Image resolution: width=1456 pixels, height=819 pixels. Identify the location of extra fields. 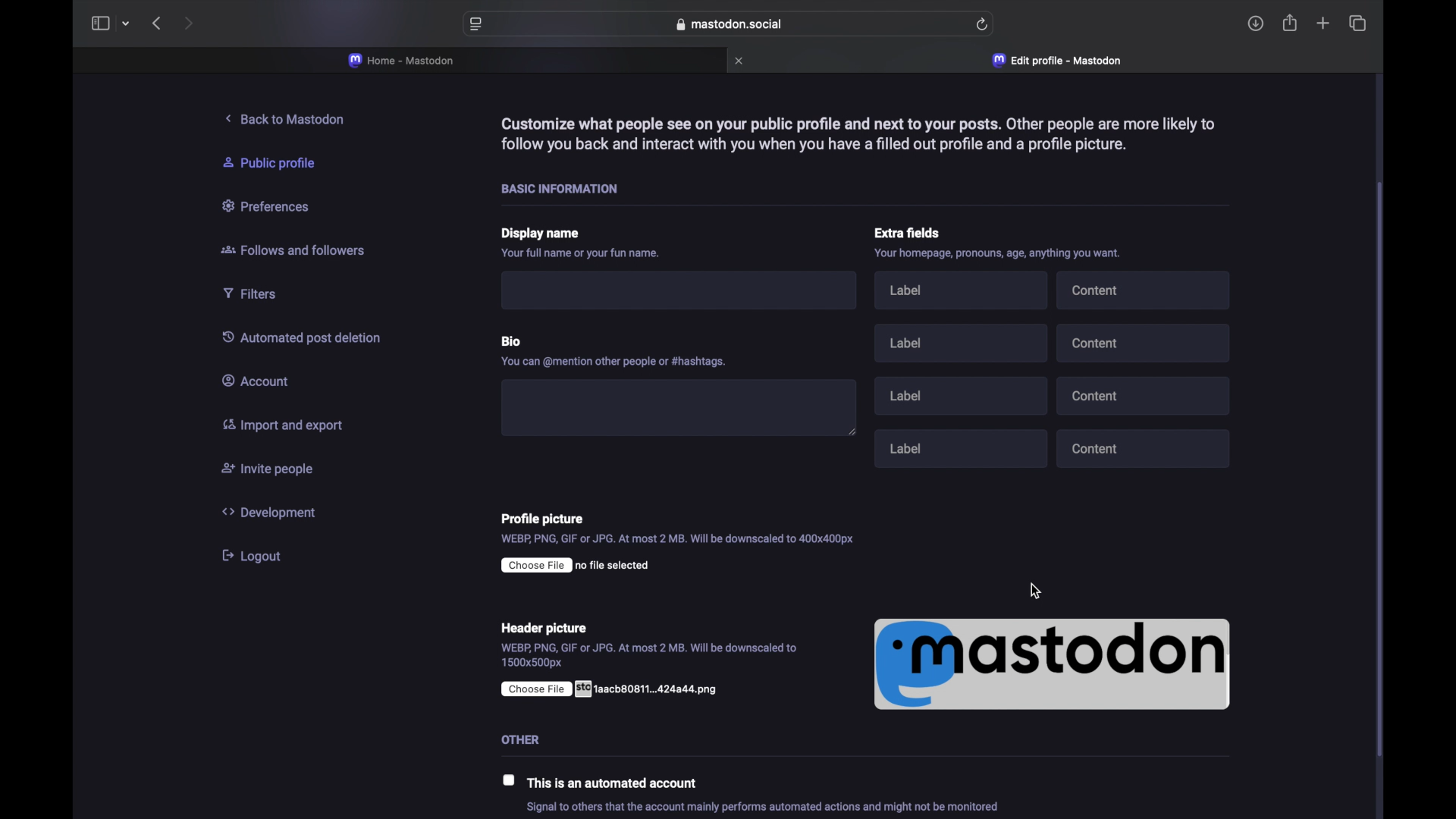
(909, 233).